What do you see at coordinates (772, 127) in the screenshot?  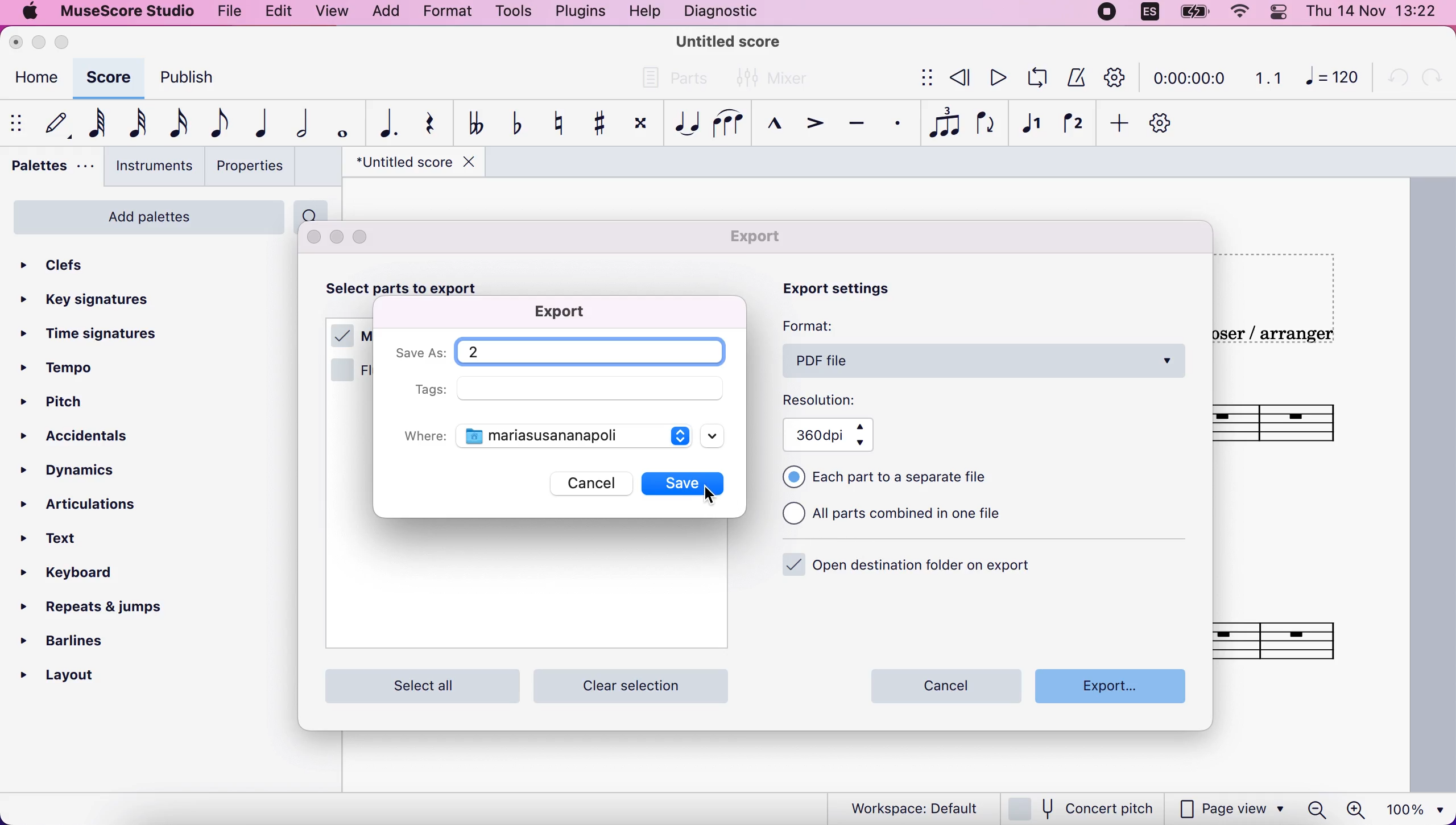 I see `marcato` at bounding box center [772, 127].